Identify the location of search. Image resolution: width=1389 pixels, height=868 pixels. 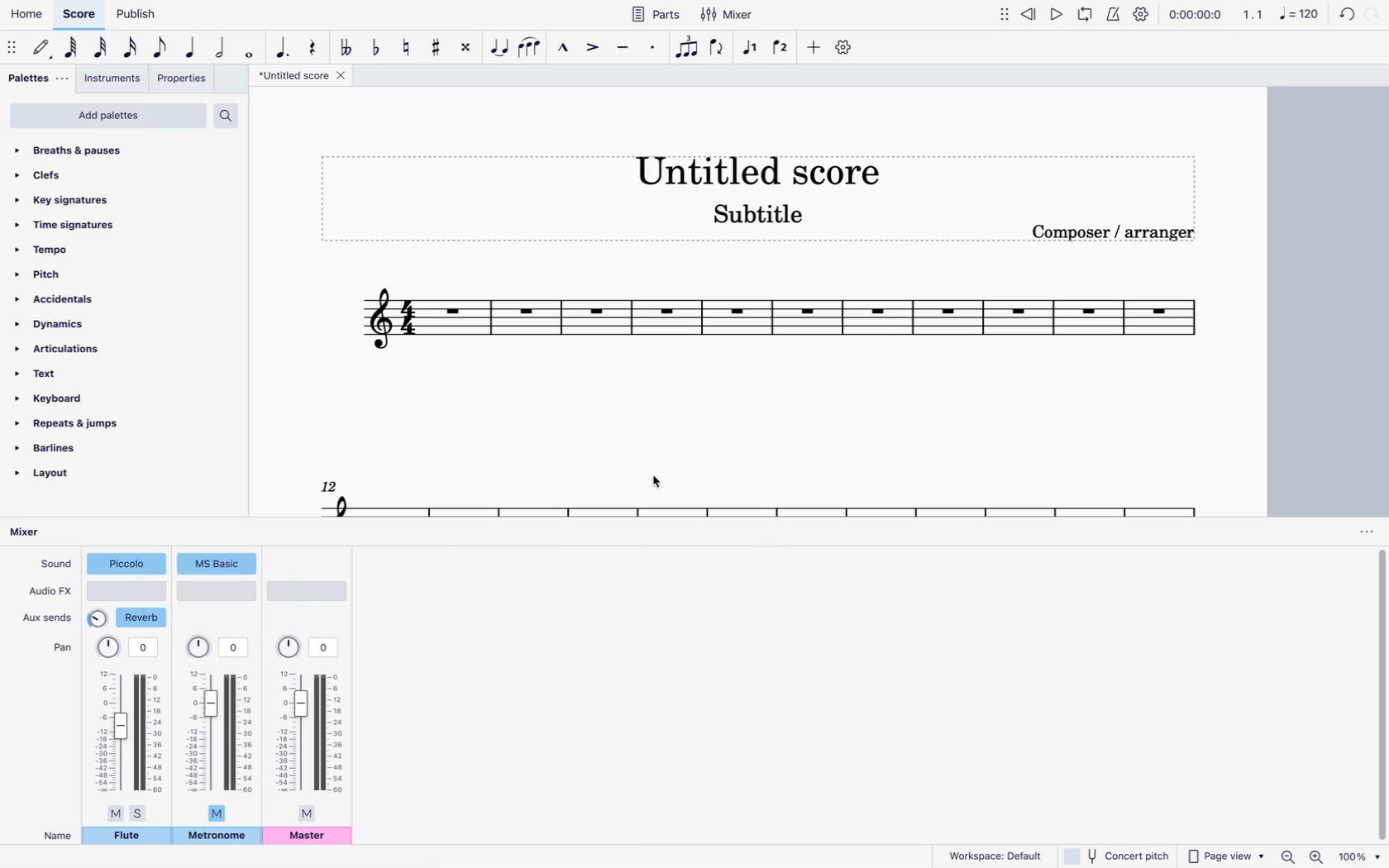
(231, 115).